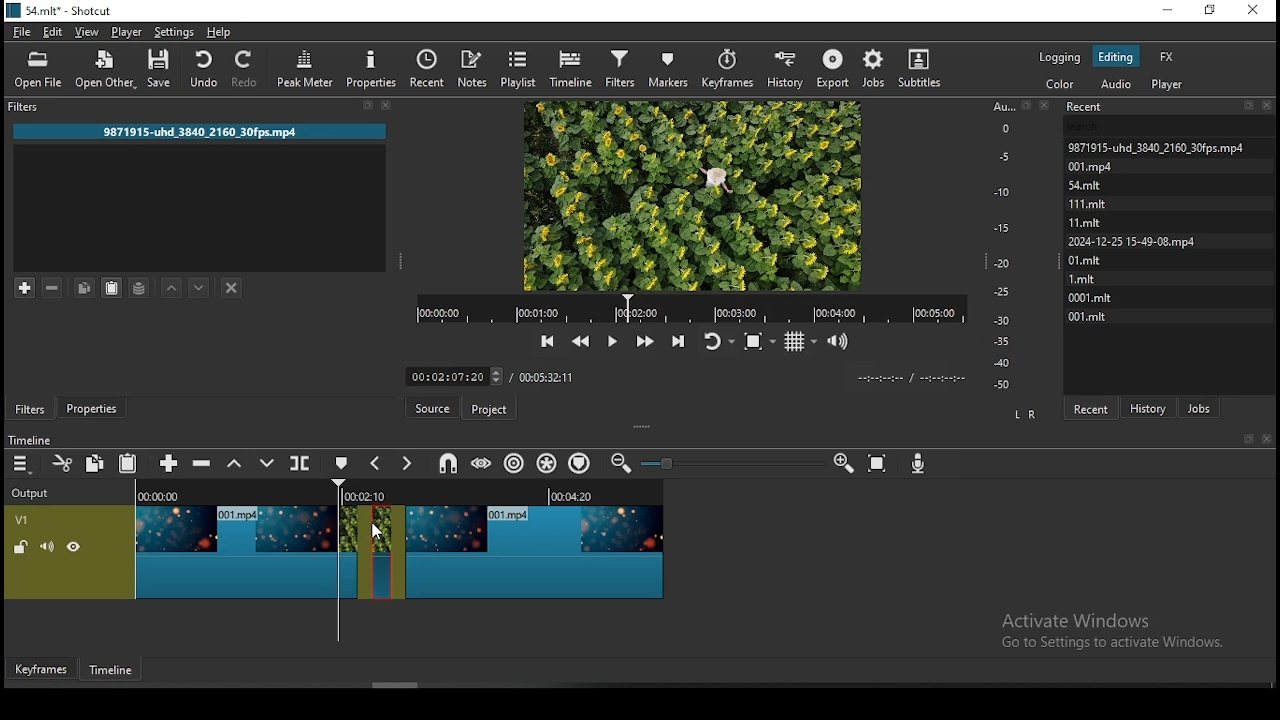 The image size is (1280, 720). I want to click on filters, so click(619, 67).